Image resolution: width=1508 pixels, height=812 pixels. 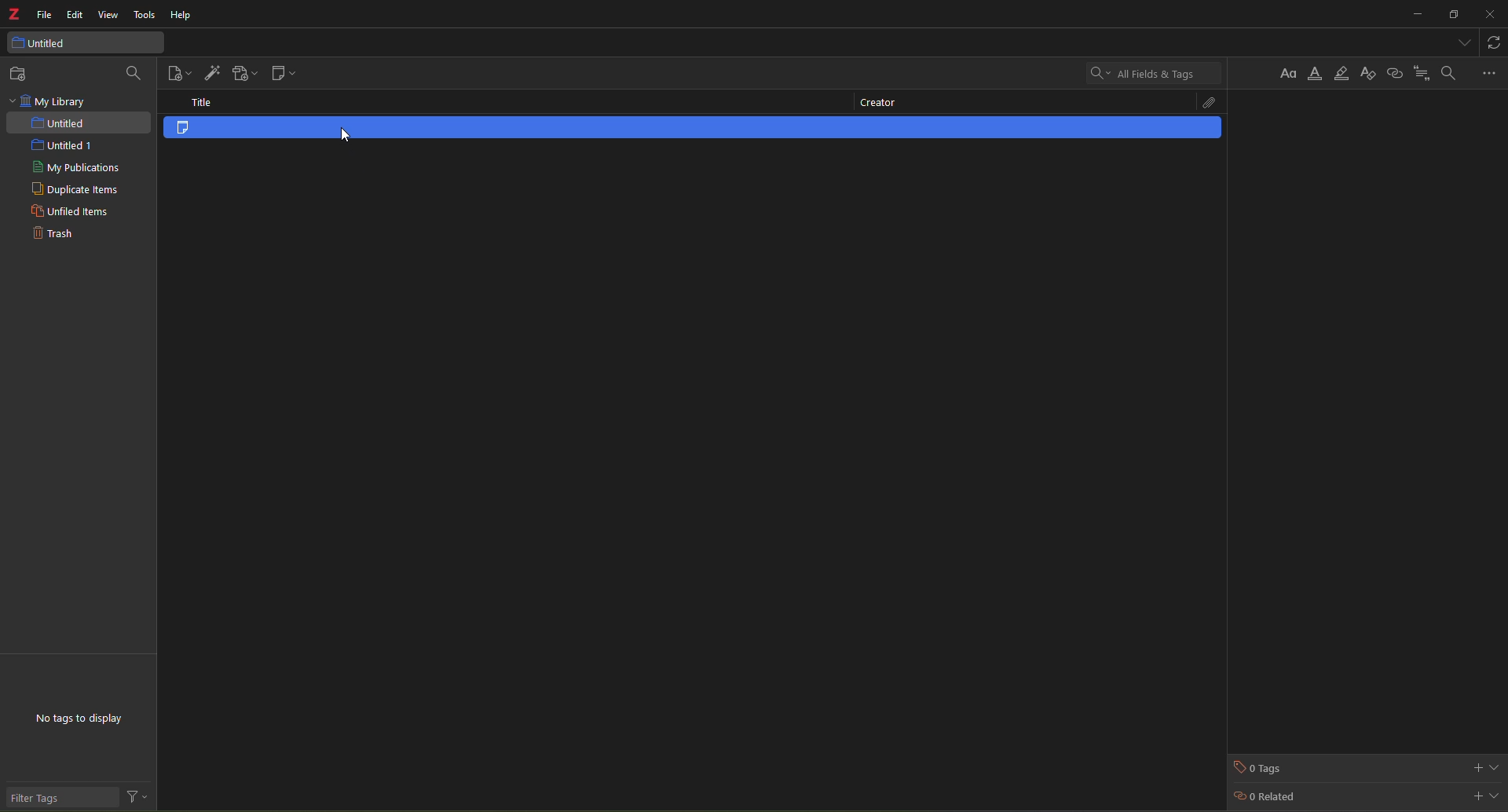 What do you see at coordinates (1414, 14) in the screenshot?
I see `minimize` at bounding box center [1414, 14].